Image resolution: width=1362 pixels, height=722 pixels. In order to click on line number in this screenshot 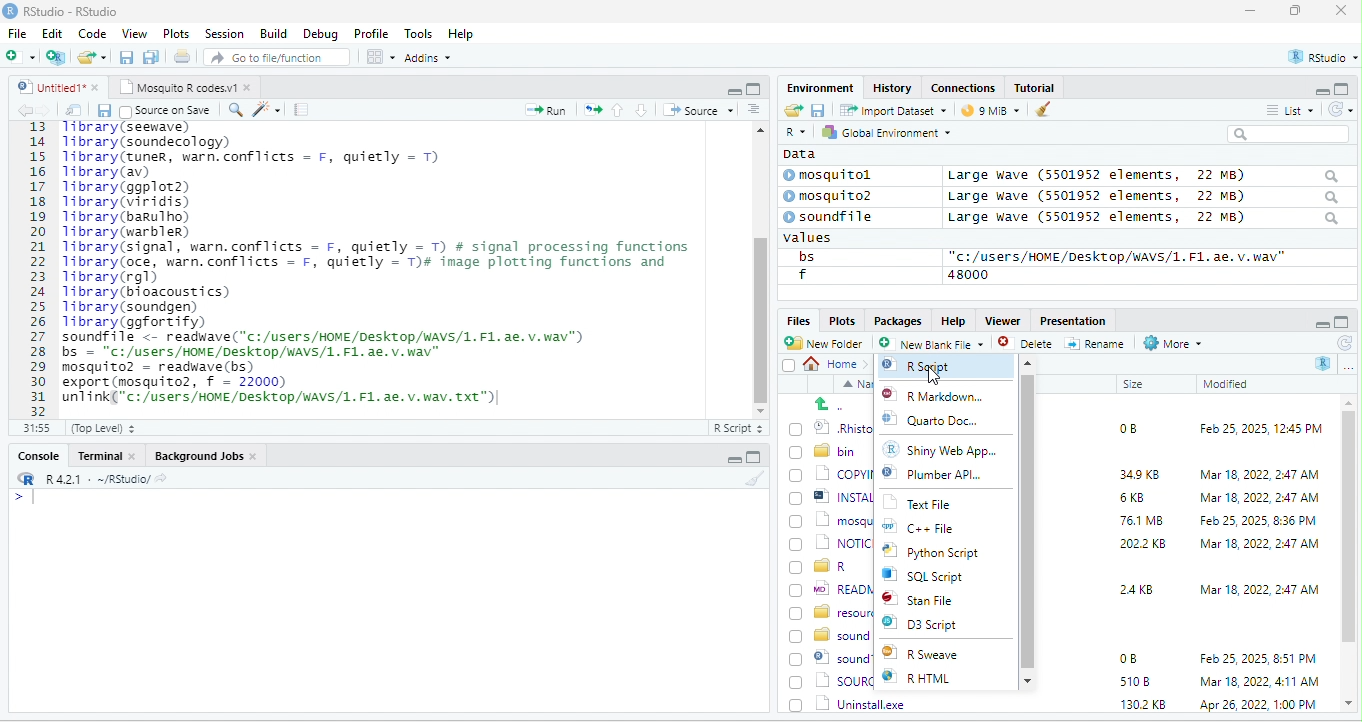, I will do `click(40, 268)`.